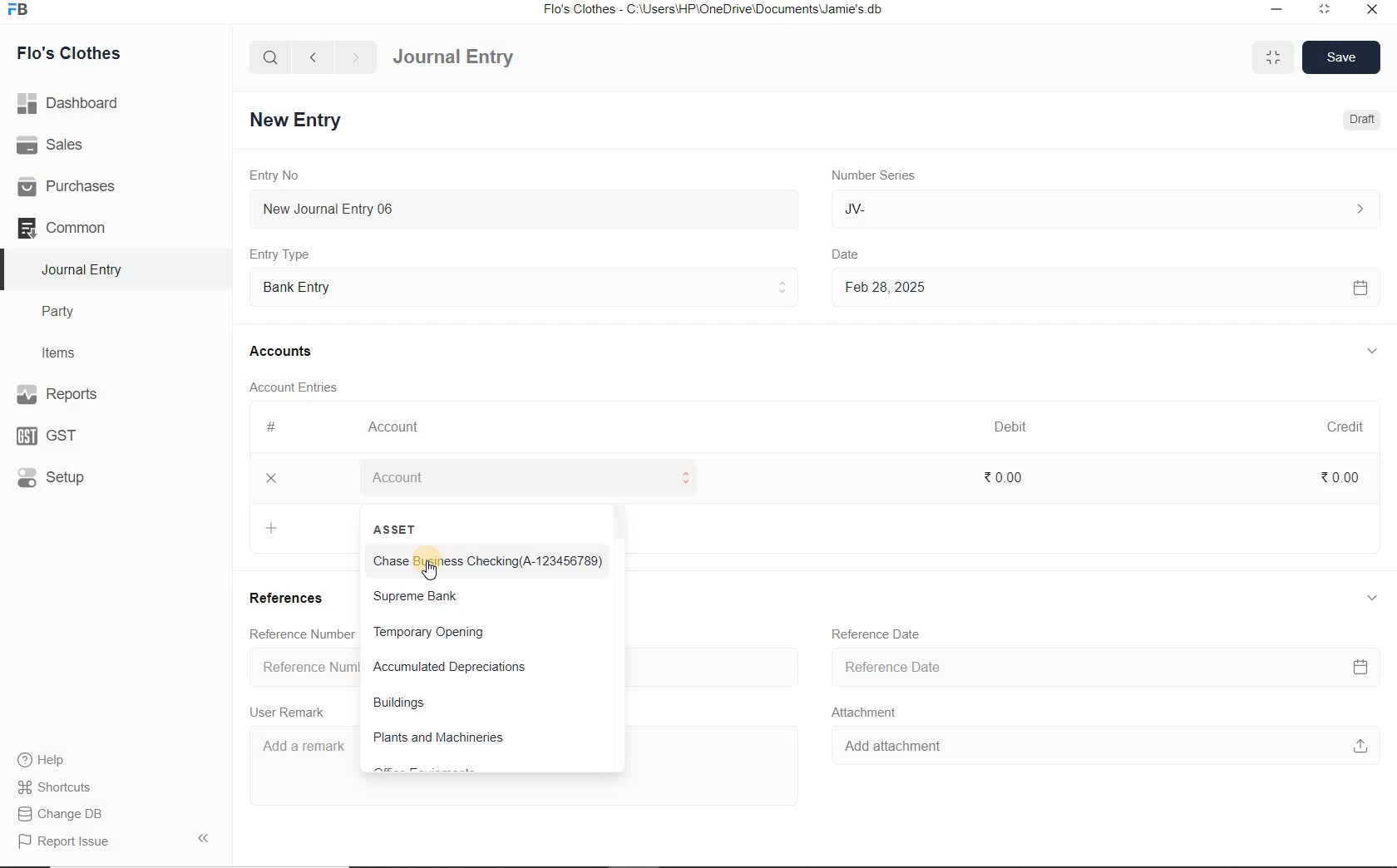 This screenshot has height=868, width=1397. What do you see at coordinates (67, 476) in the screenshot?
I see `Setup` at bounding box center [67, 476].